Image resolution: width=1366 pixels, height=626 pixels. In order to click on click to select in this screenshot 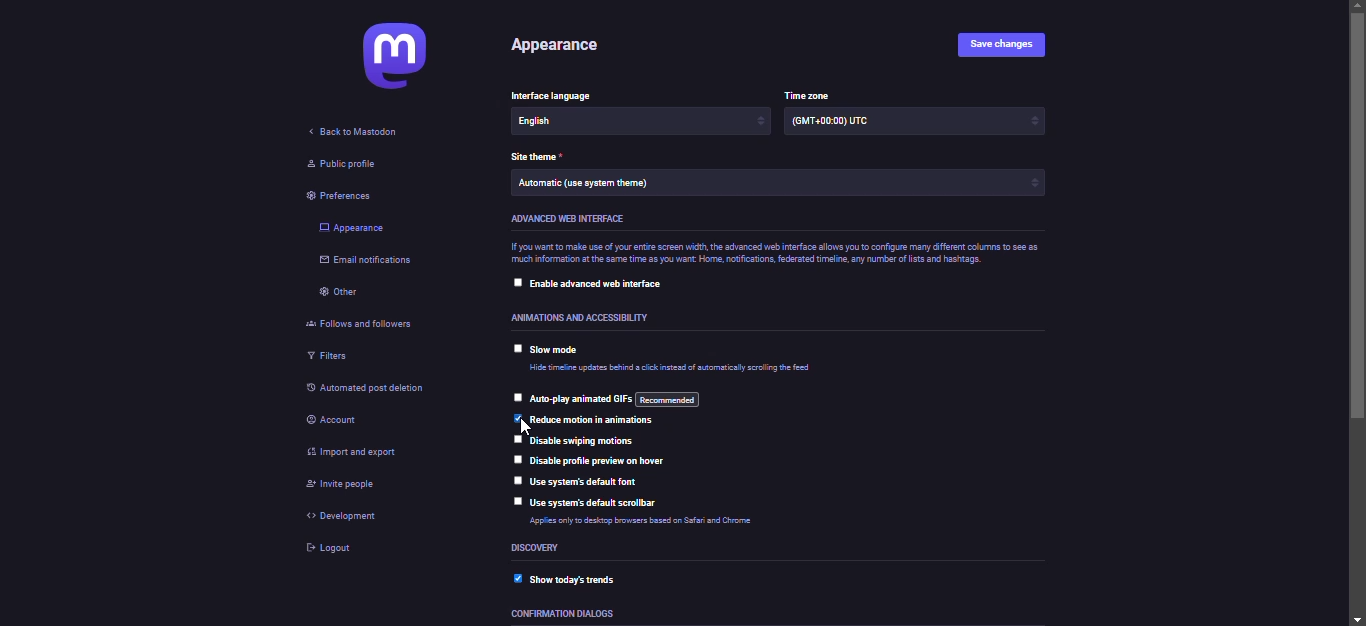, I will do `click(512, 398)`.